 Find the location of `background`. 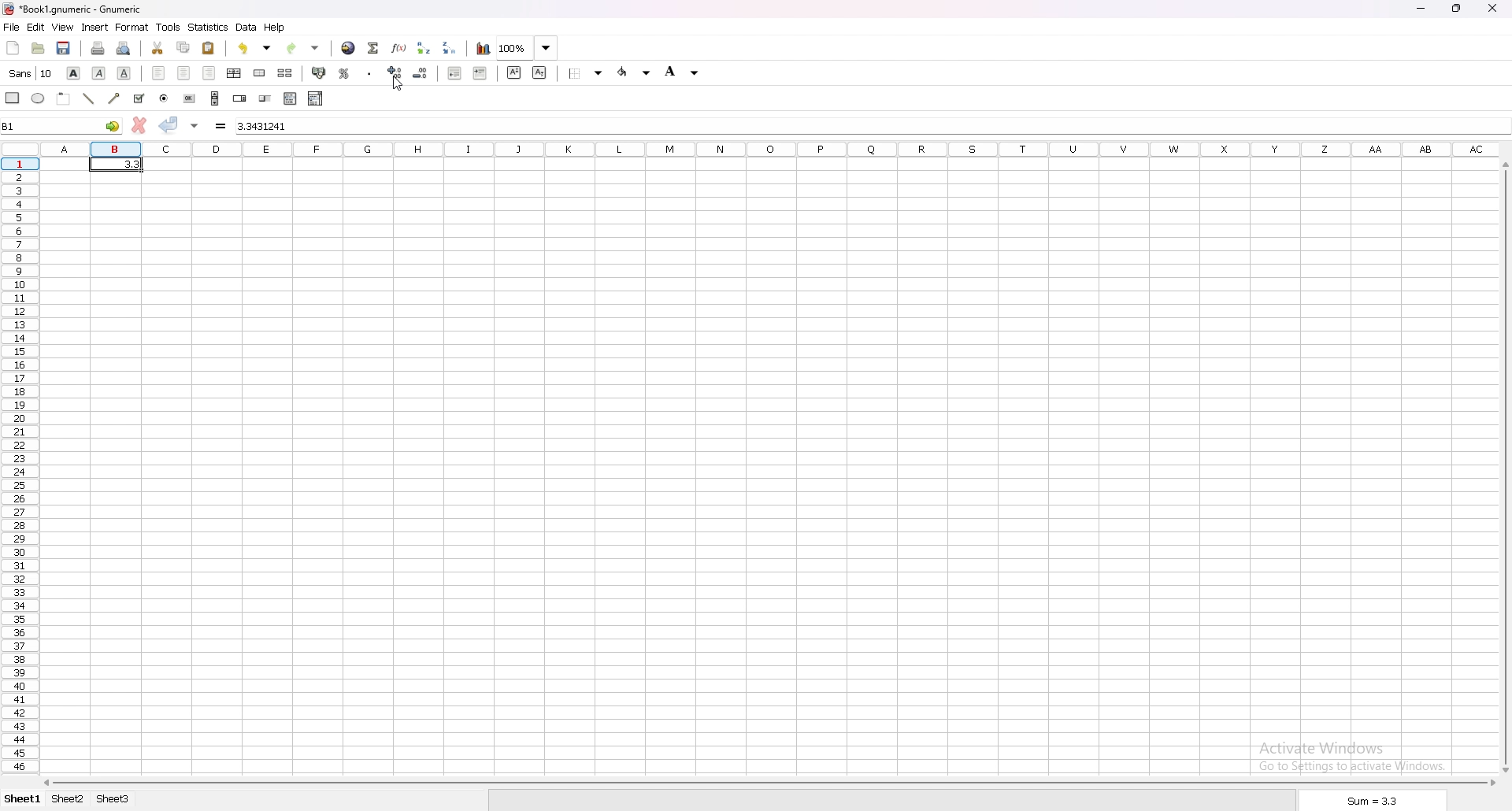

background is located at coordinates (682, 73).